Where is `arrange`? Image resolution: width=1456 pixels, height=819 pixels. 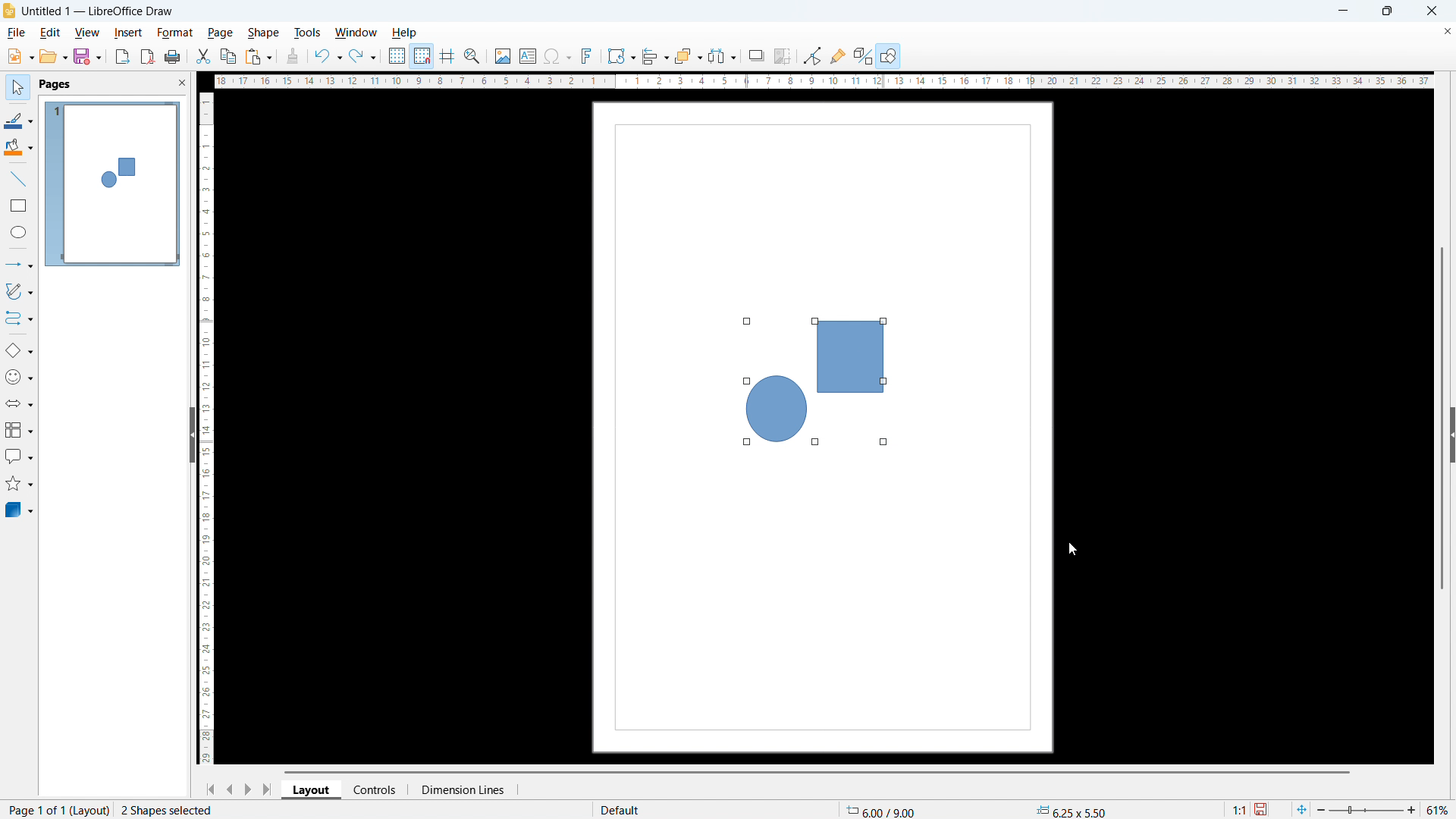
arrange is located at coordinates (687, 57).